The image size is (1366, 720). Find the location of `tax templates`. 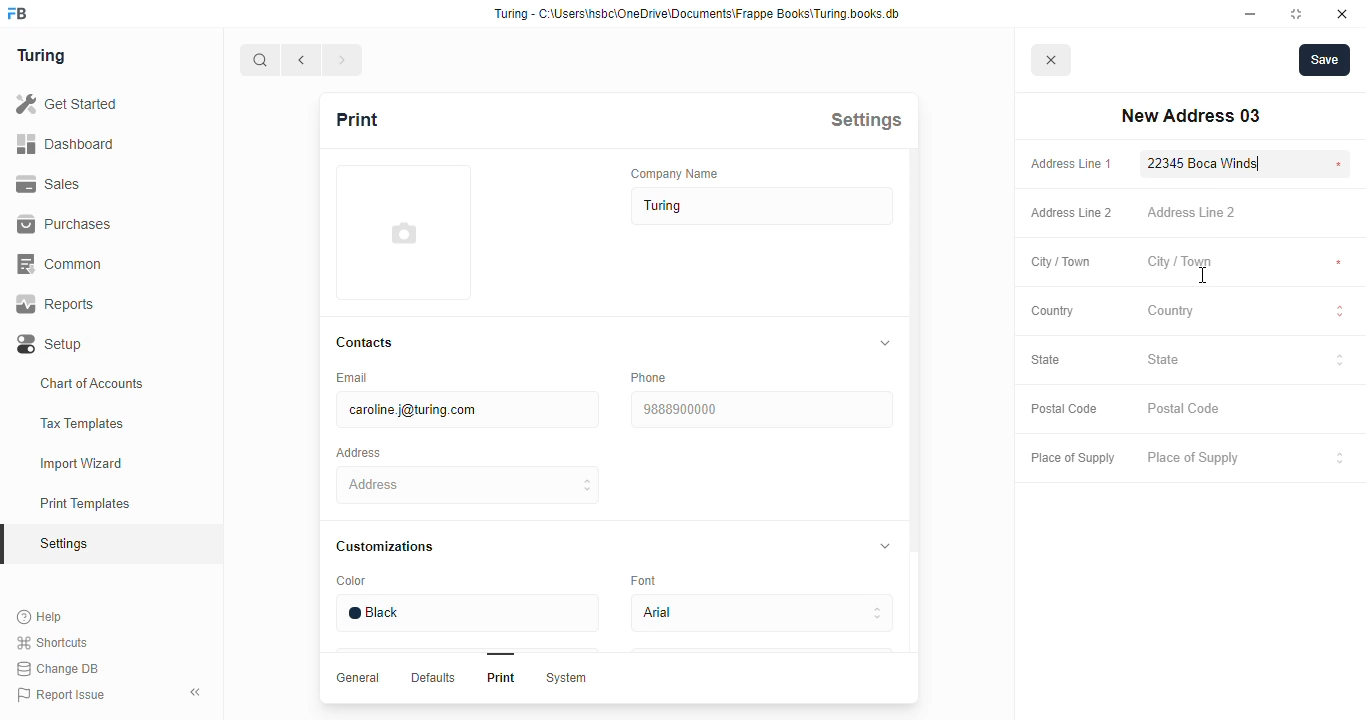

tax templates is located at coordinates (81, 423).